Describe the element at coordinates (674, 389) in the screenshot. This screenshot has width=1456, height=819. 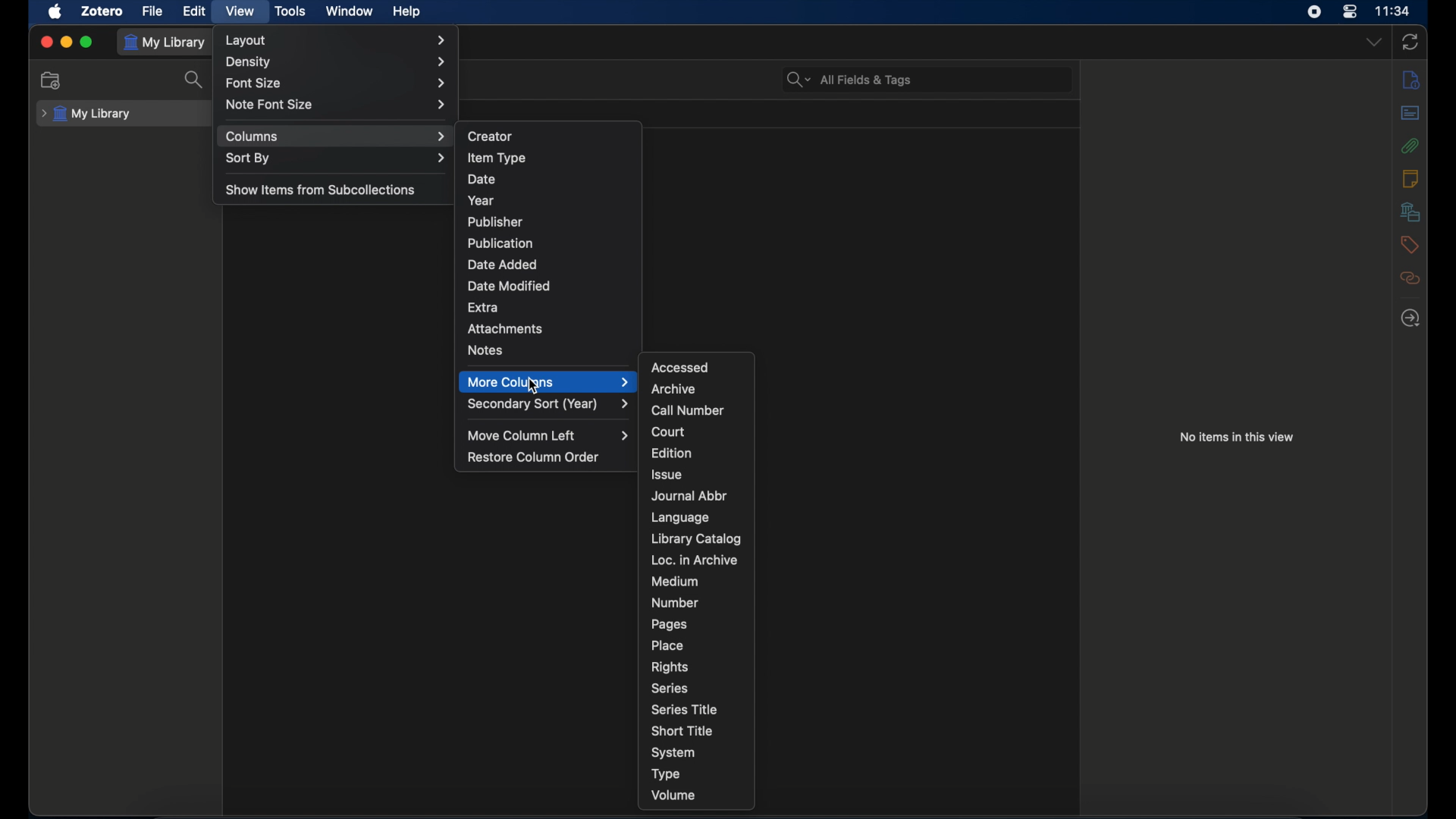
I see `archive` at that location.